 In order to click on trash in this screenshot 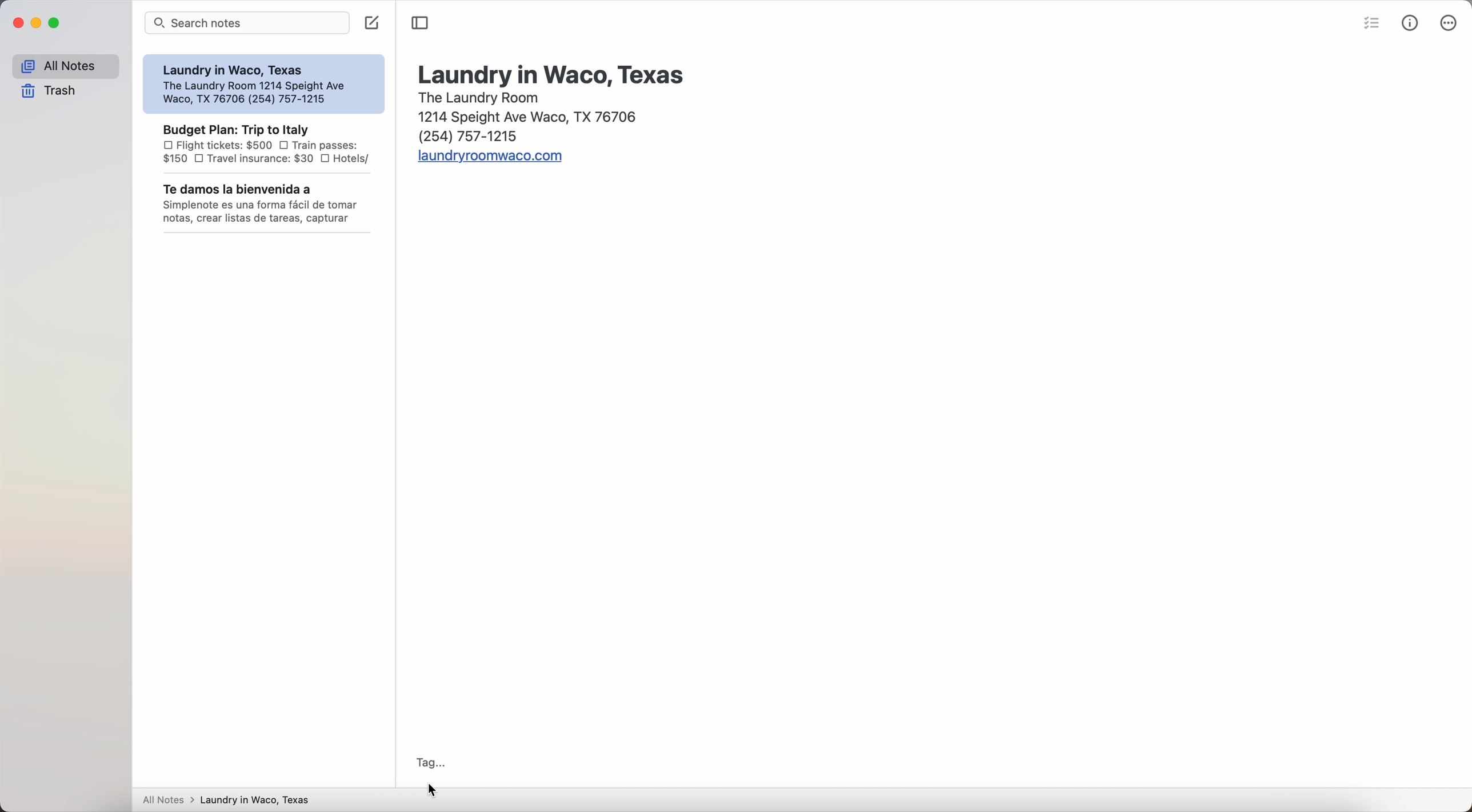, I will do `click(49, 91)`.